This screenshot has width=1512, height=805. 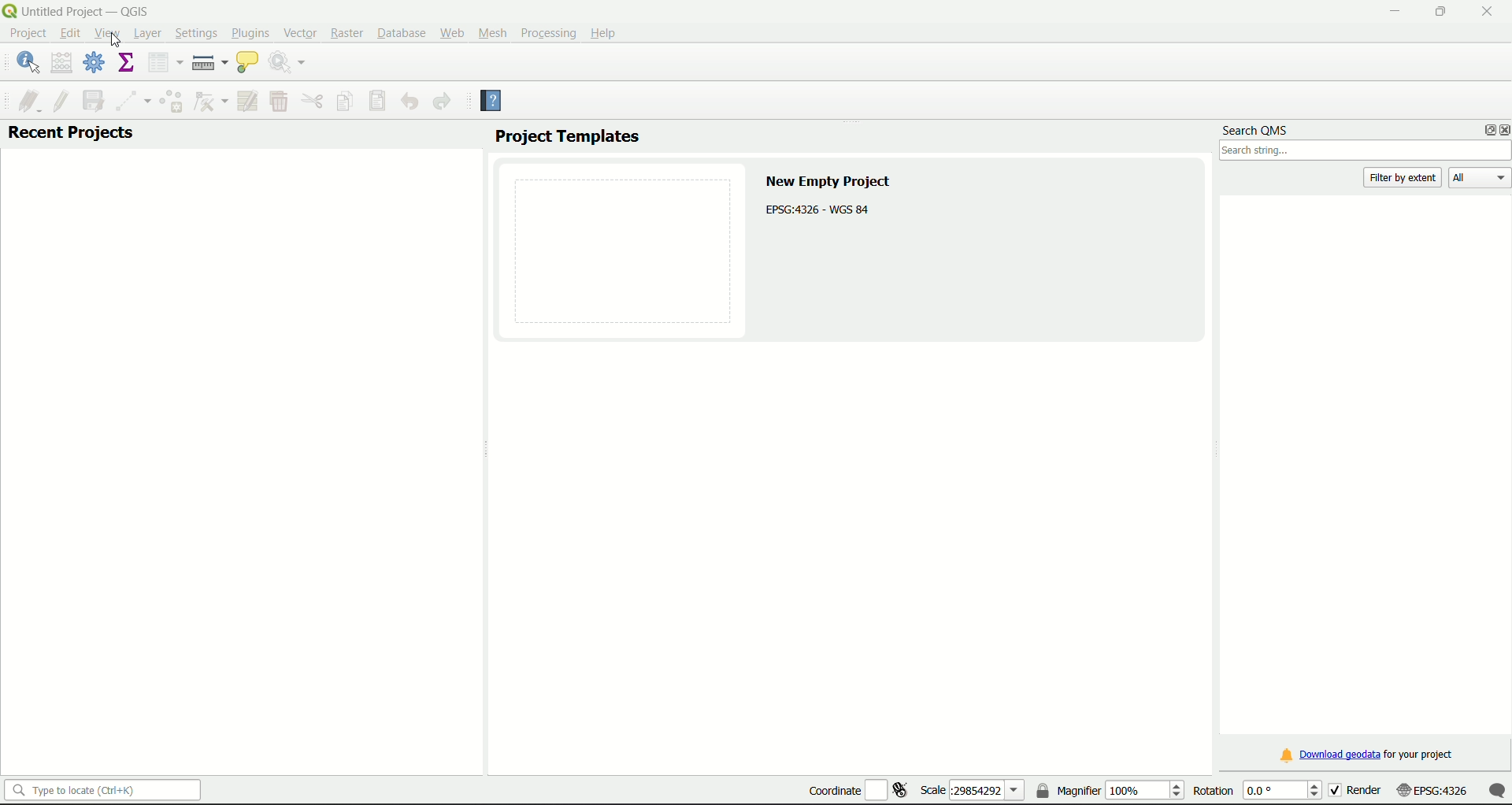 What do you see at coordinates (109, 35) in the screenshot?
I see `View` at bounding box center [109, 35].